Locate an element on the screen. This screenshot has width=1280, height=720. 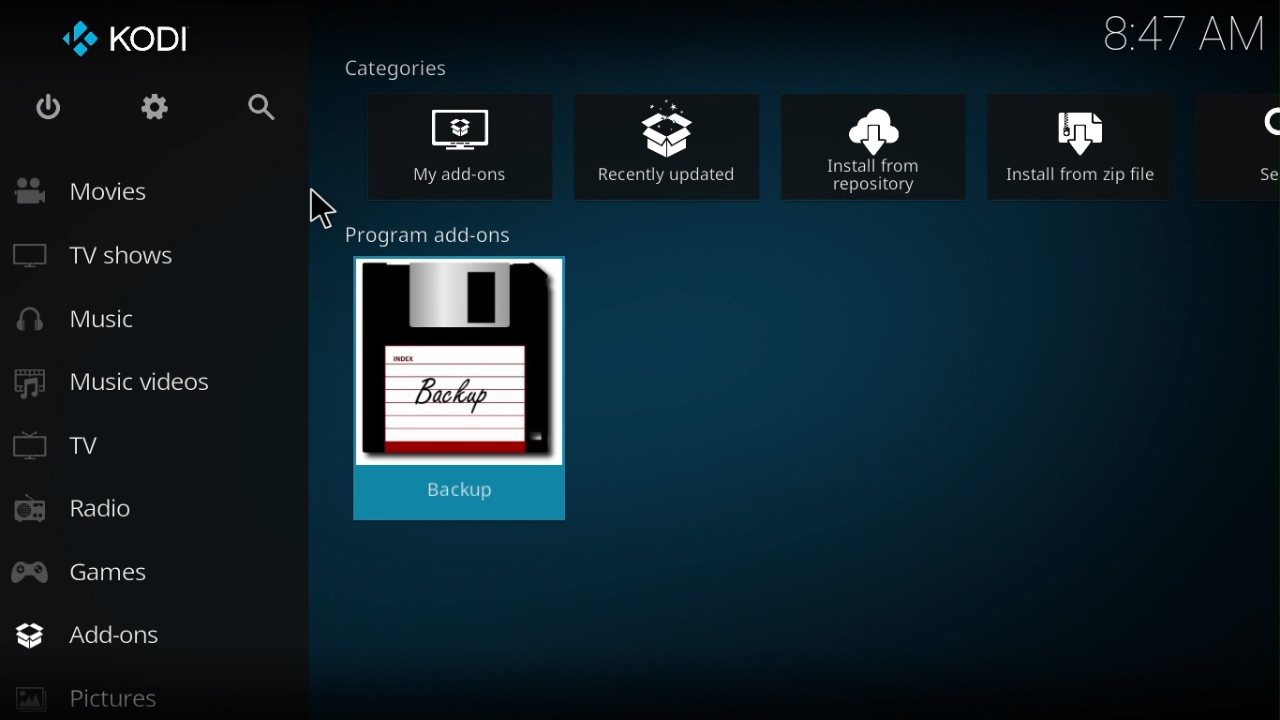
cursor is located at coordinates (320, 209).